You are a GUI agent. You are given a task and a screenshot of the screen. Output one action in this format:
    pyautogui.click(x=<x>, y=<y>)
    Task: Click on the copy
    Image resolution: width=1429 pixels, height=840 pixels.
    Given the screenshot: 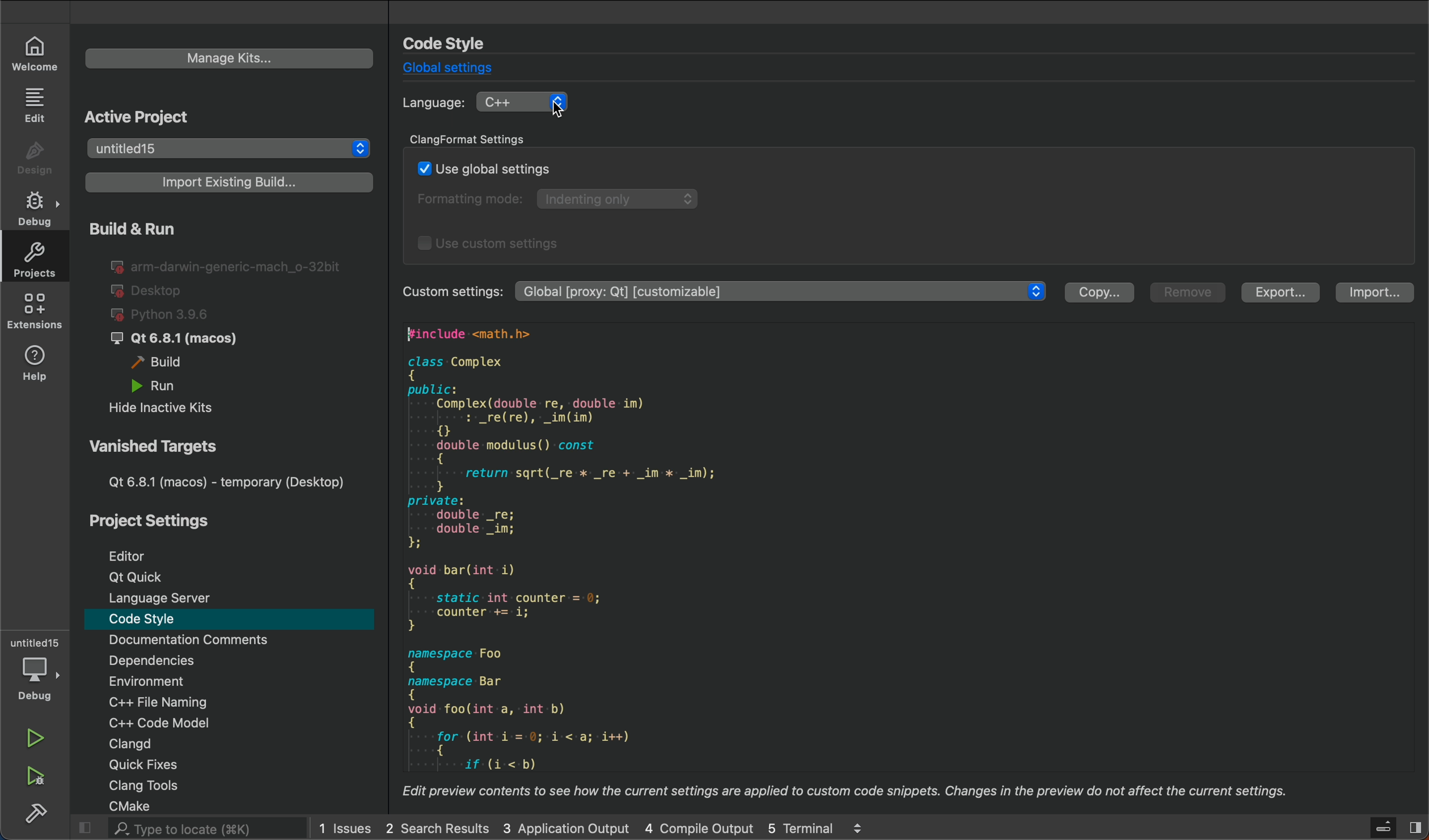 What is the action you would take?
    pyautogui.click(x=1098, y=293)
    